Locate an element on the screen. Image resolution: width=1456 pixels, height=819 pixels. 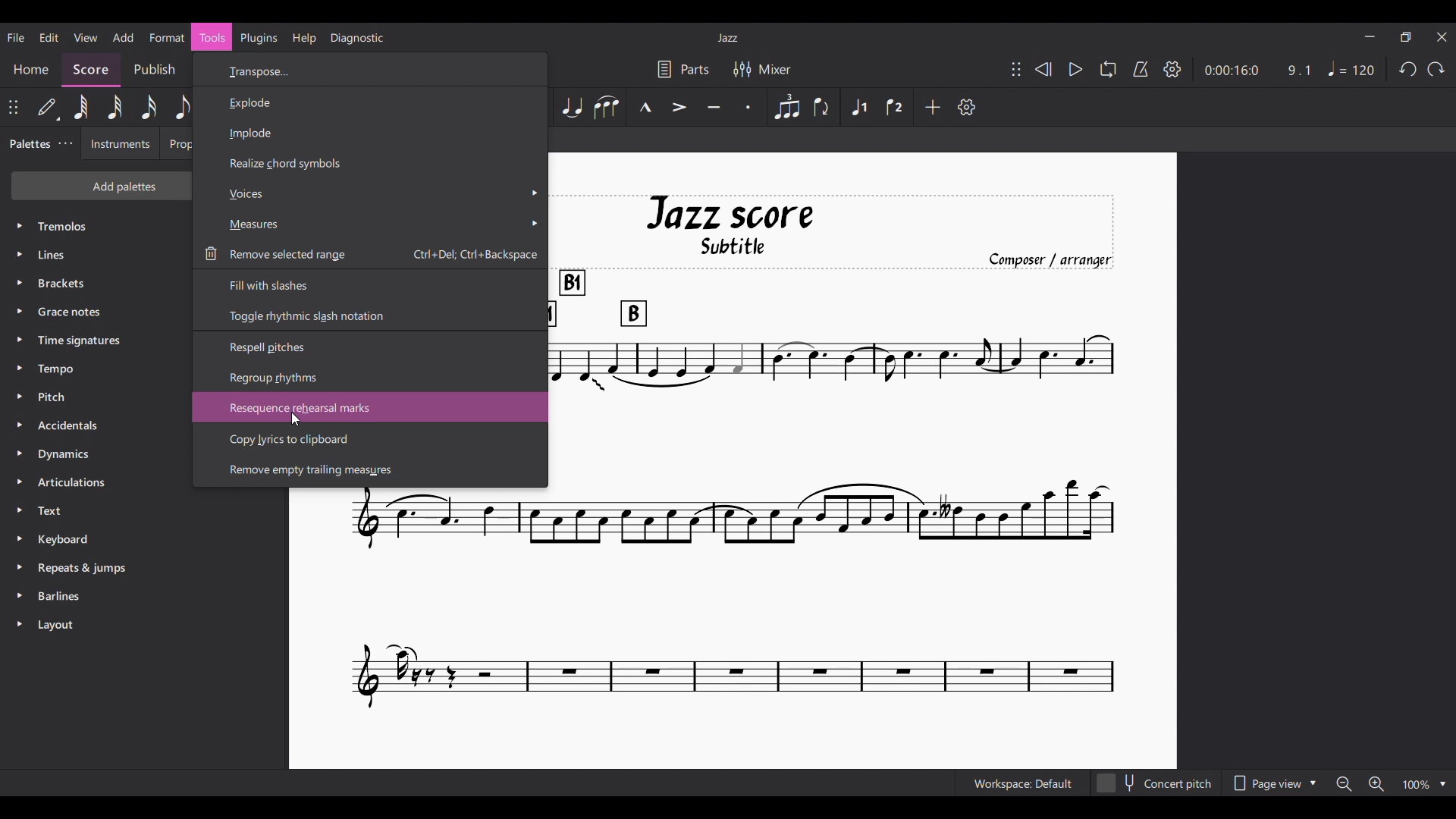
Undo is located at coordinates (1408, 70).